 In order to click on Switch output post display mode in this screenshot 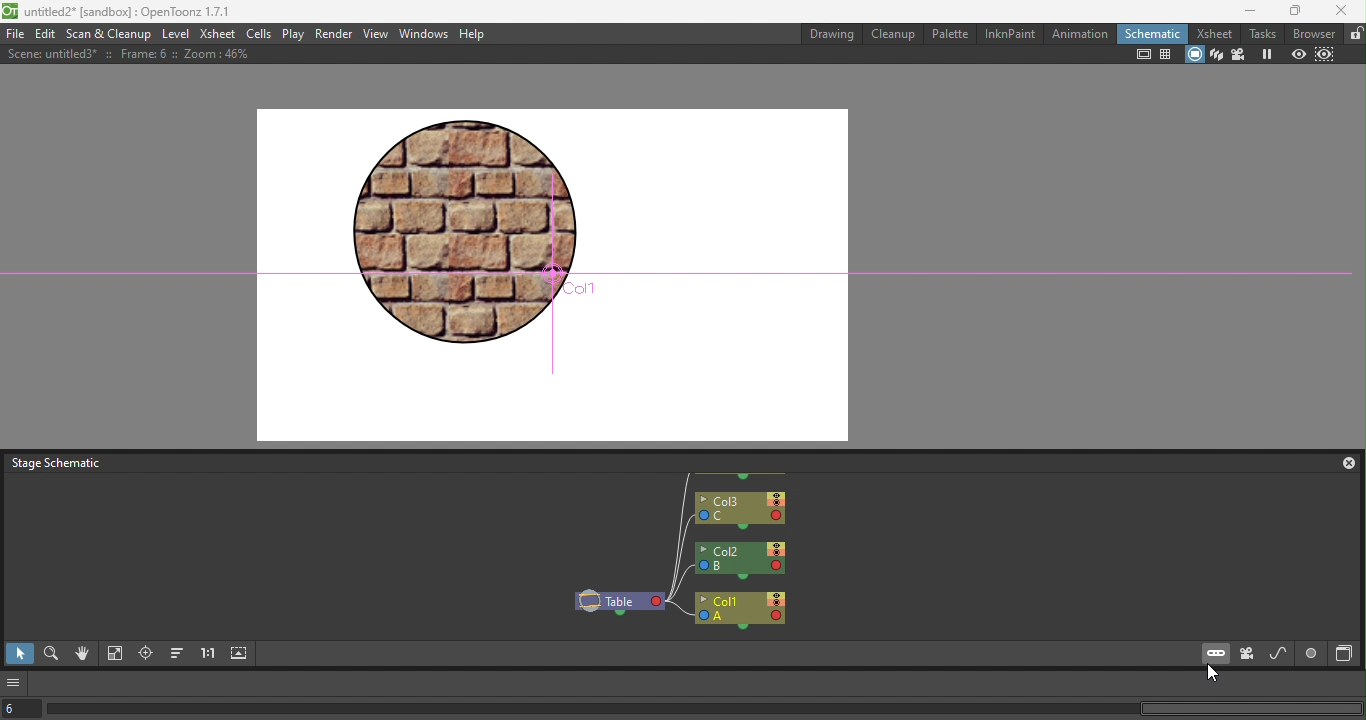, I will do `click(1312, 654)`.